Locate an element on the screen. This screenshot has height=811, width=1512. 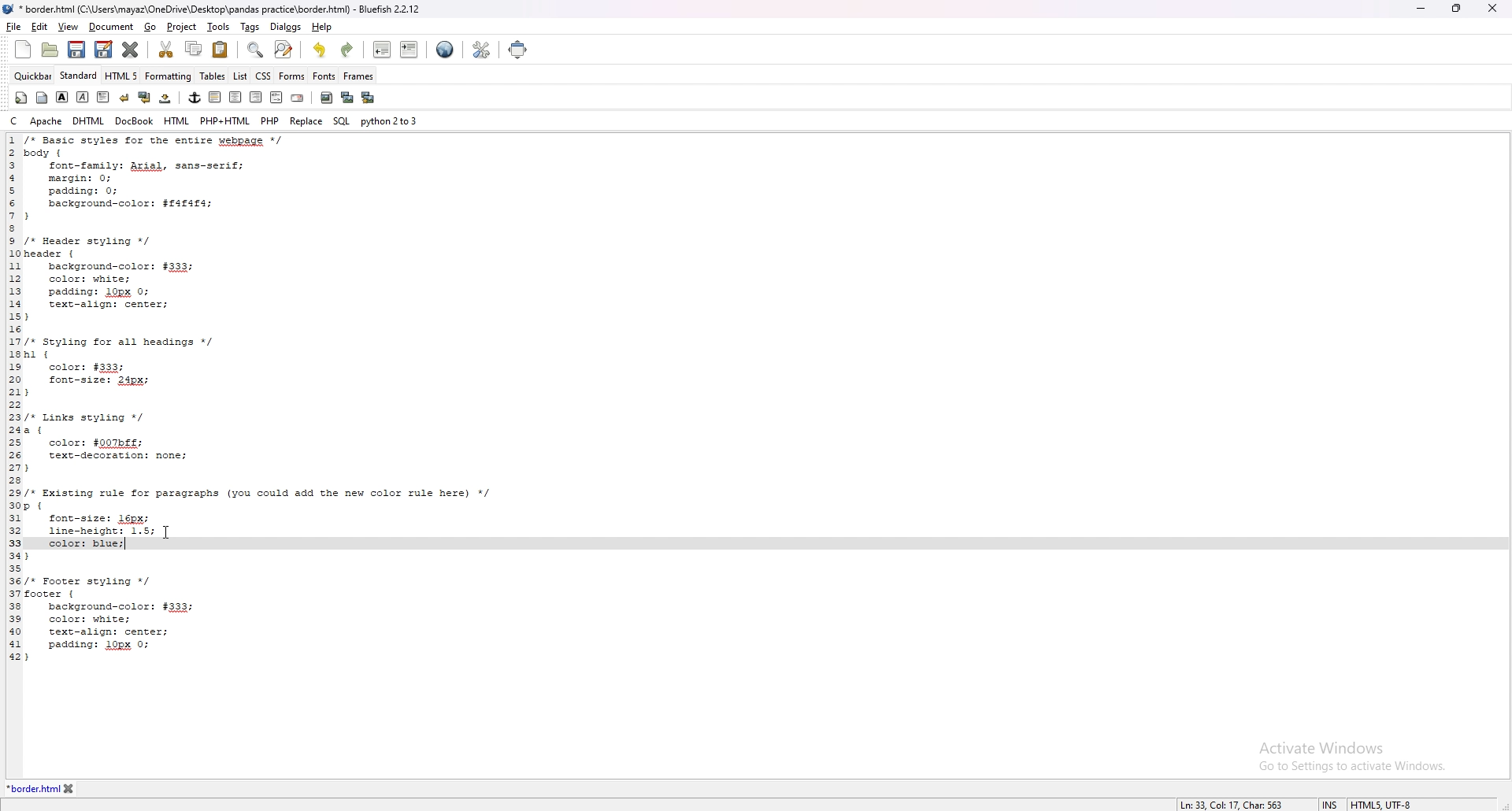
indent is located at coordinates (409, 50).